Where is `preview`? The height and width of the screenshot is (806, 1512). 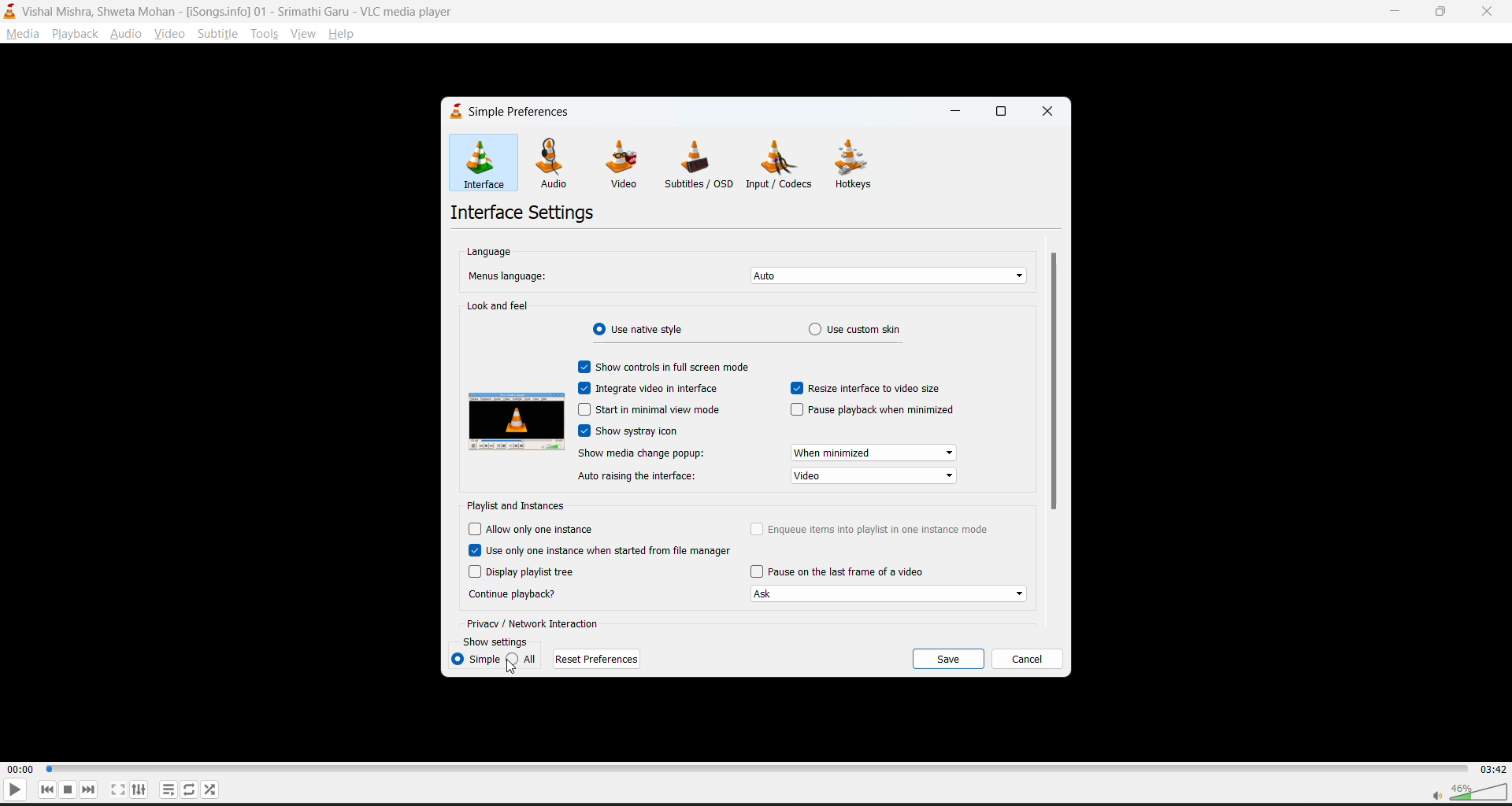
preview is located at coordinates (517, 423).